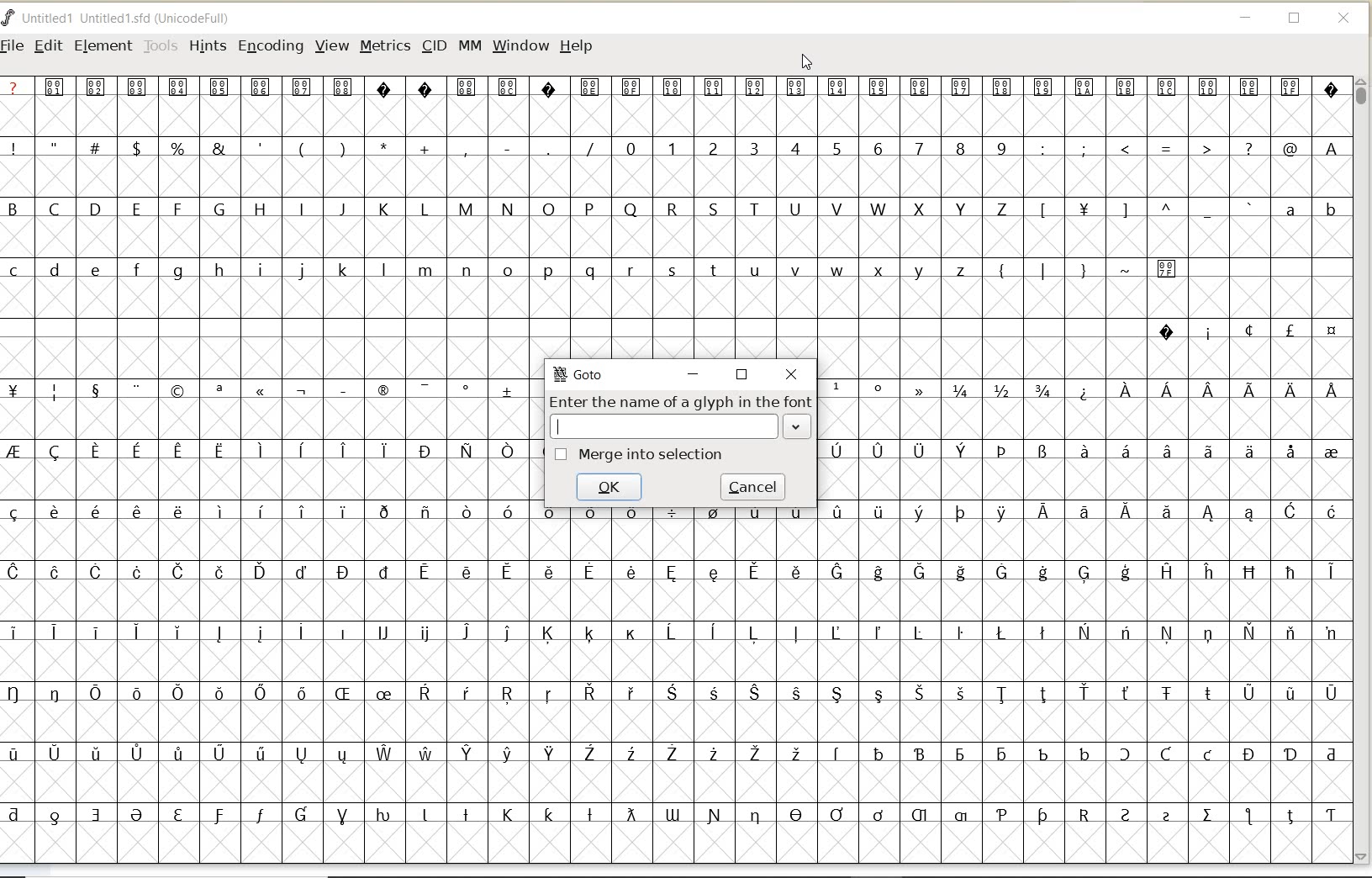 The height and width of the screenshot is (878, 1372). Describe the element at coordinates (743, 375) in the screenshot. I see `restore` at that location.